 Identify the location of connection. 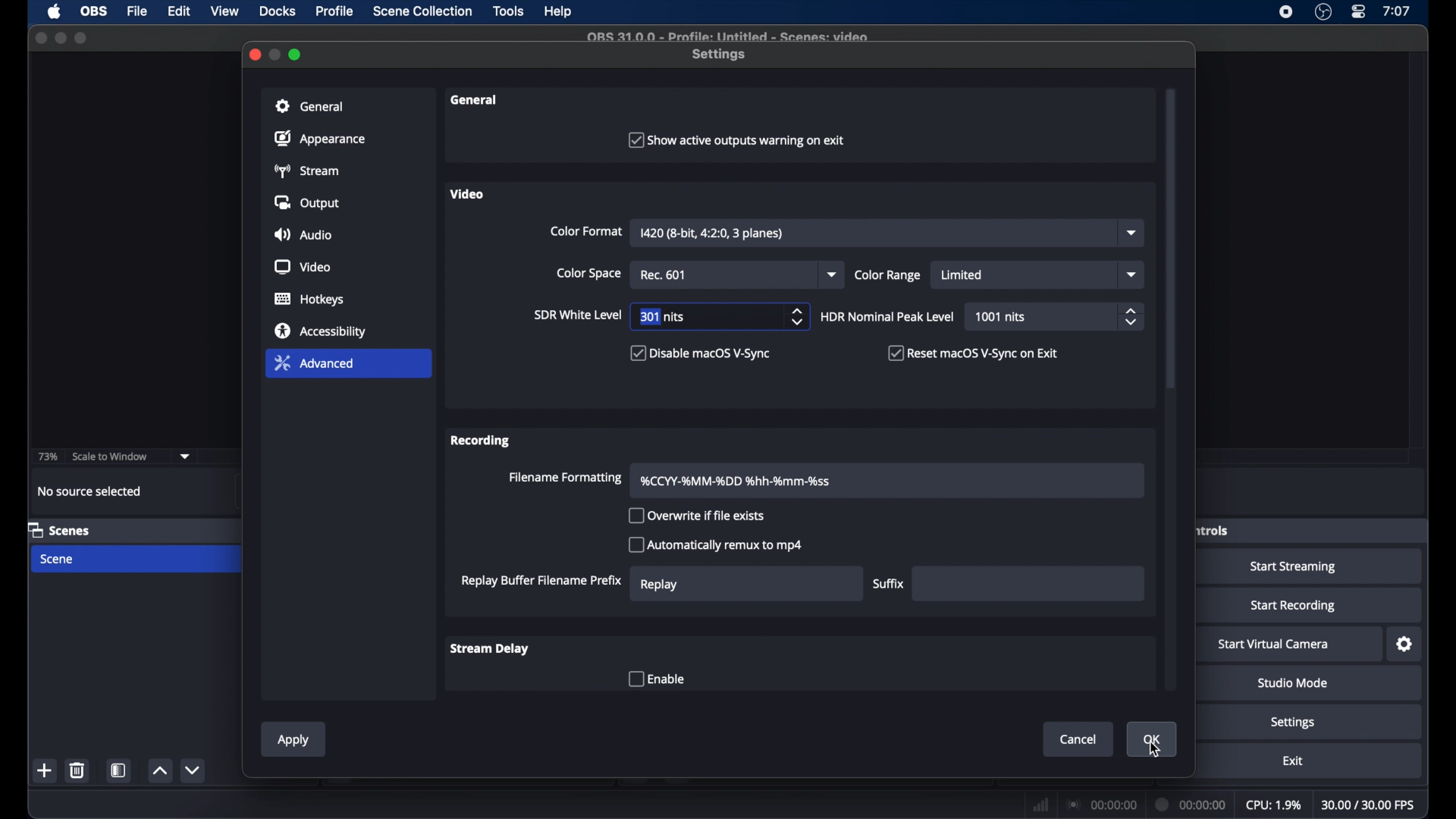
(1100, 805).